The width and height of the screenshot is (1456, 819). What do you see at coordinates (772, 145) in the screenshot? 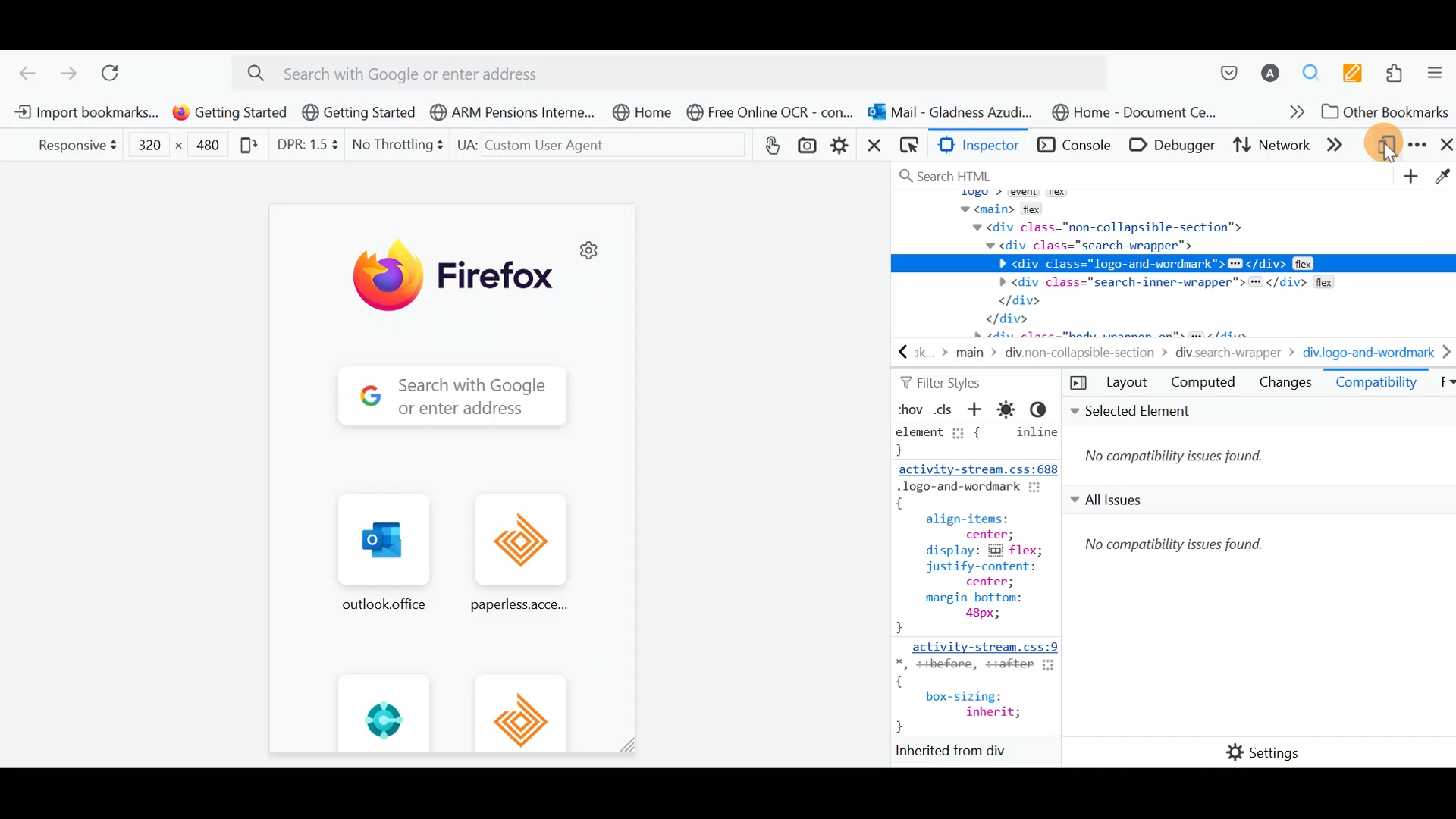
I see `weblink` at bounding box center [772, 145].